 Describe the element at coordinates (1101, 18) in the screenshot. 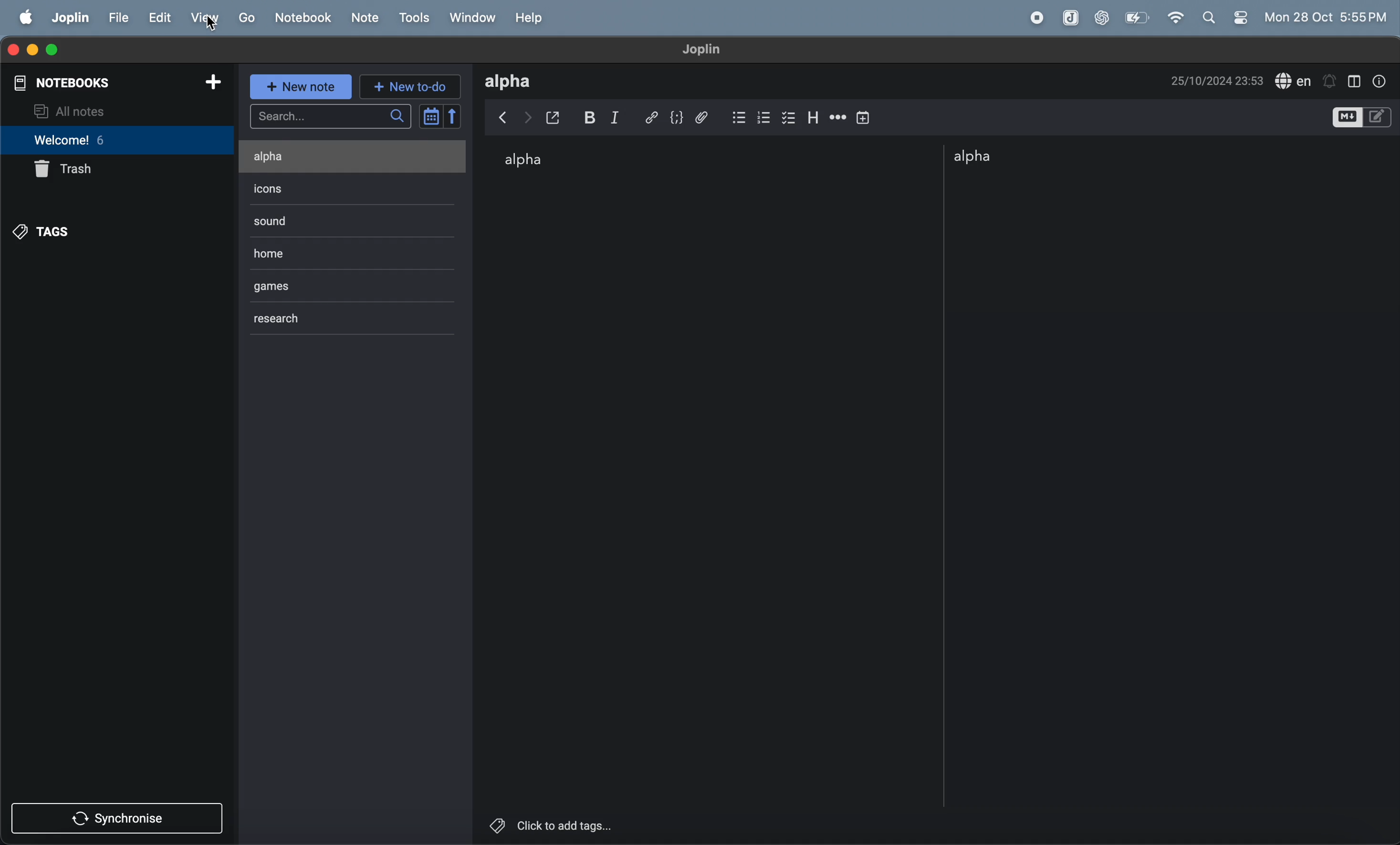

I see `chatgpt` at that location.